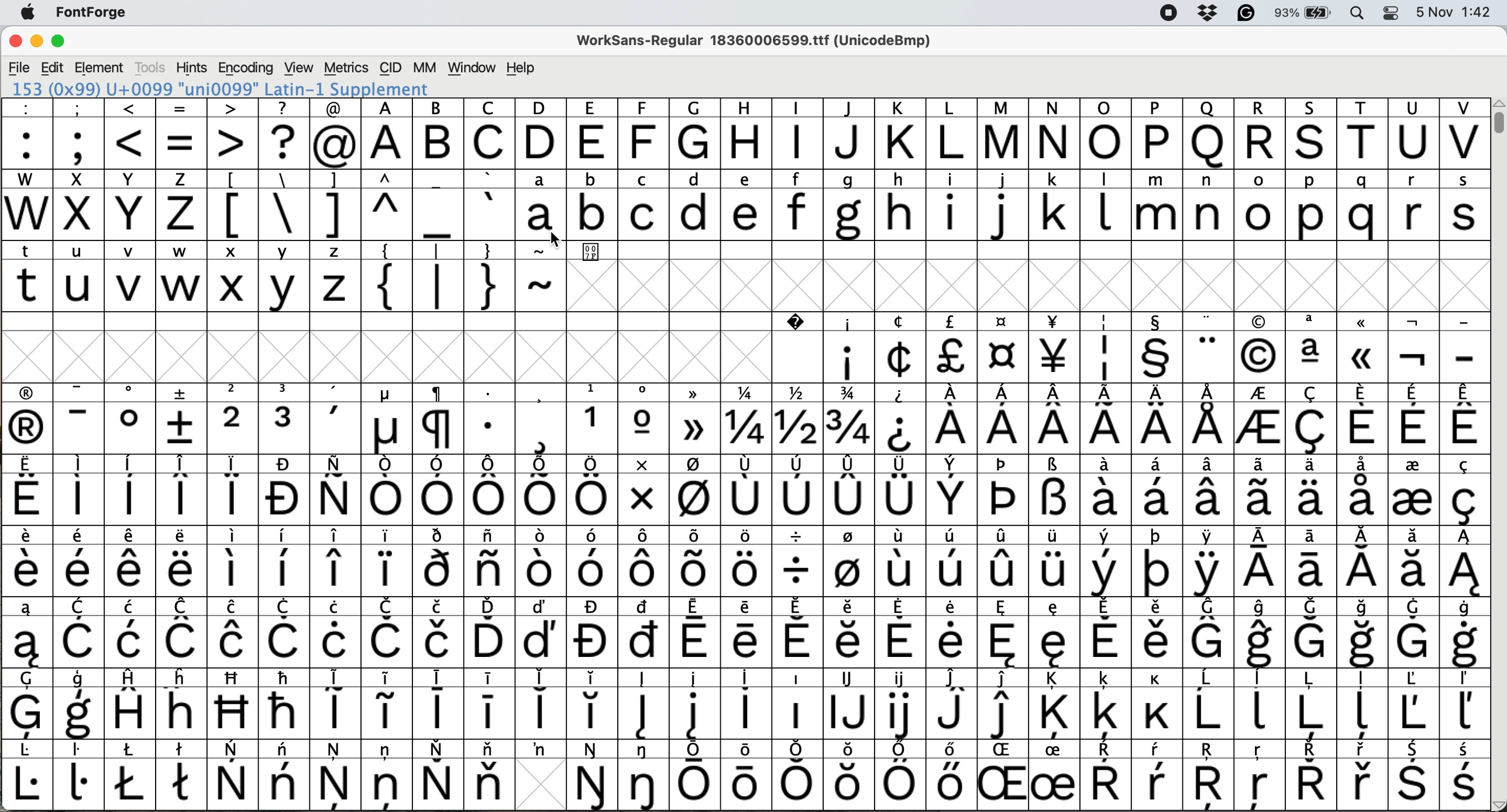 This screenshot has height=812, width=1507. What do you see at coordinates (848, 562) in the screenshot?
I see `symbol` at bounding box center [848, 562].